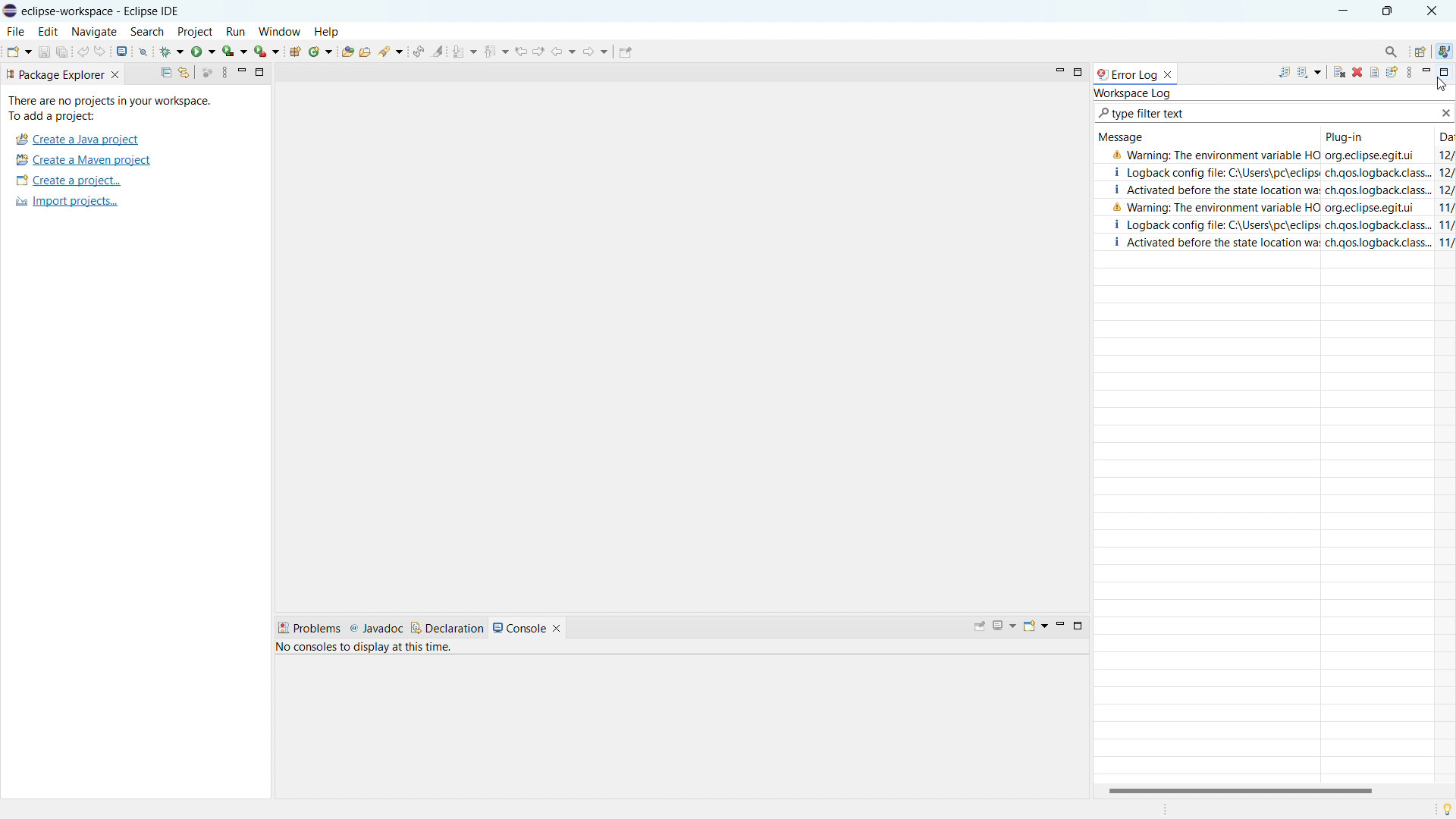 The width and height of the screenshot is (1456, 819). Describe the element at coordinates (1285, 72) in the screenshot. I see `export log` at that location.